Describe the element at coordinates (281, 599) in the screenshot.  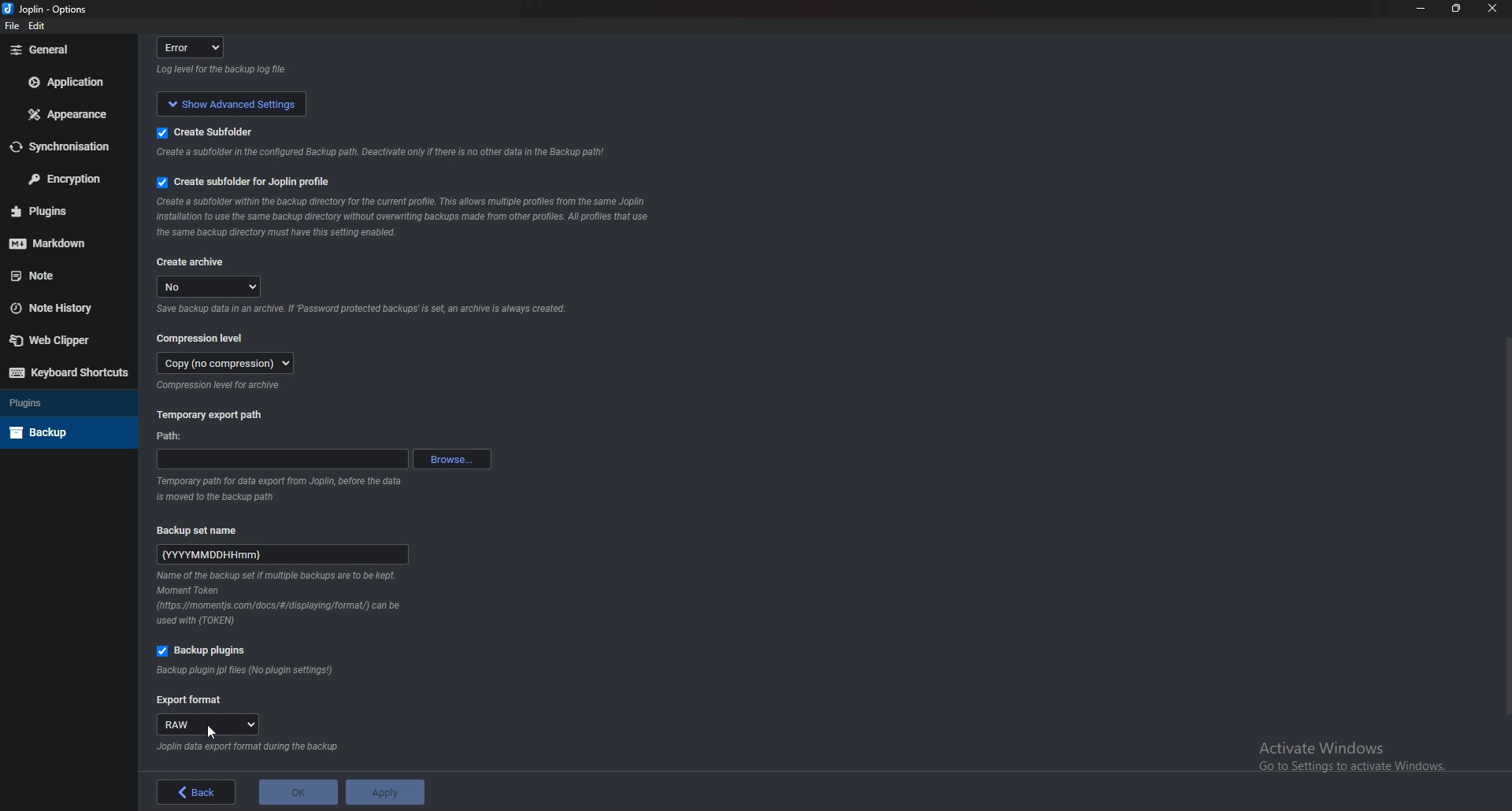
I see `Info` at that location.